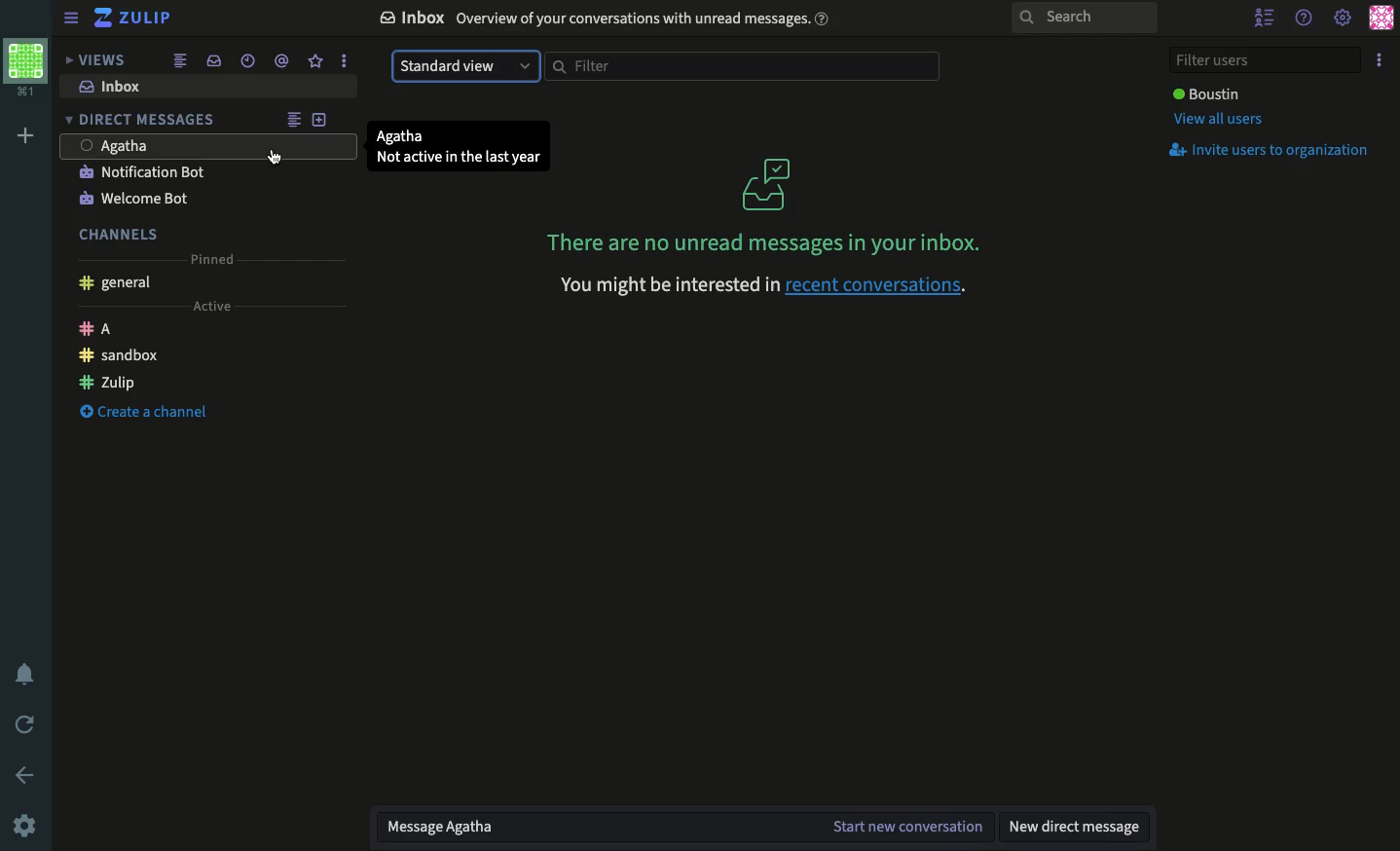 The image size is (1400, 851). Describe the element at coordinates (1379, 61) in the screenshot. I see `Options` at that location.